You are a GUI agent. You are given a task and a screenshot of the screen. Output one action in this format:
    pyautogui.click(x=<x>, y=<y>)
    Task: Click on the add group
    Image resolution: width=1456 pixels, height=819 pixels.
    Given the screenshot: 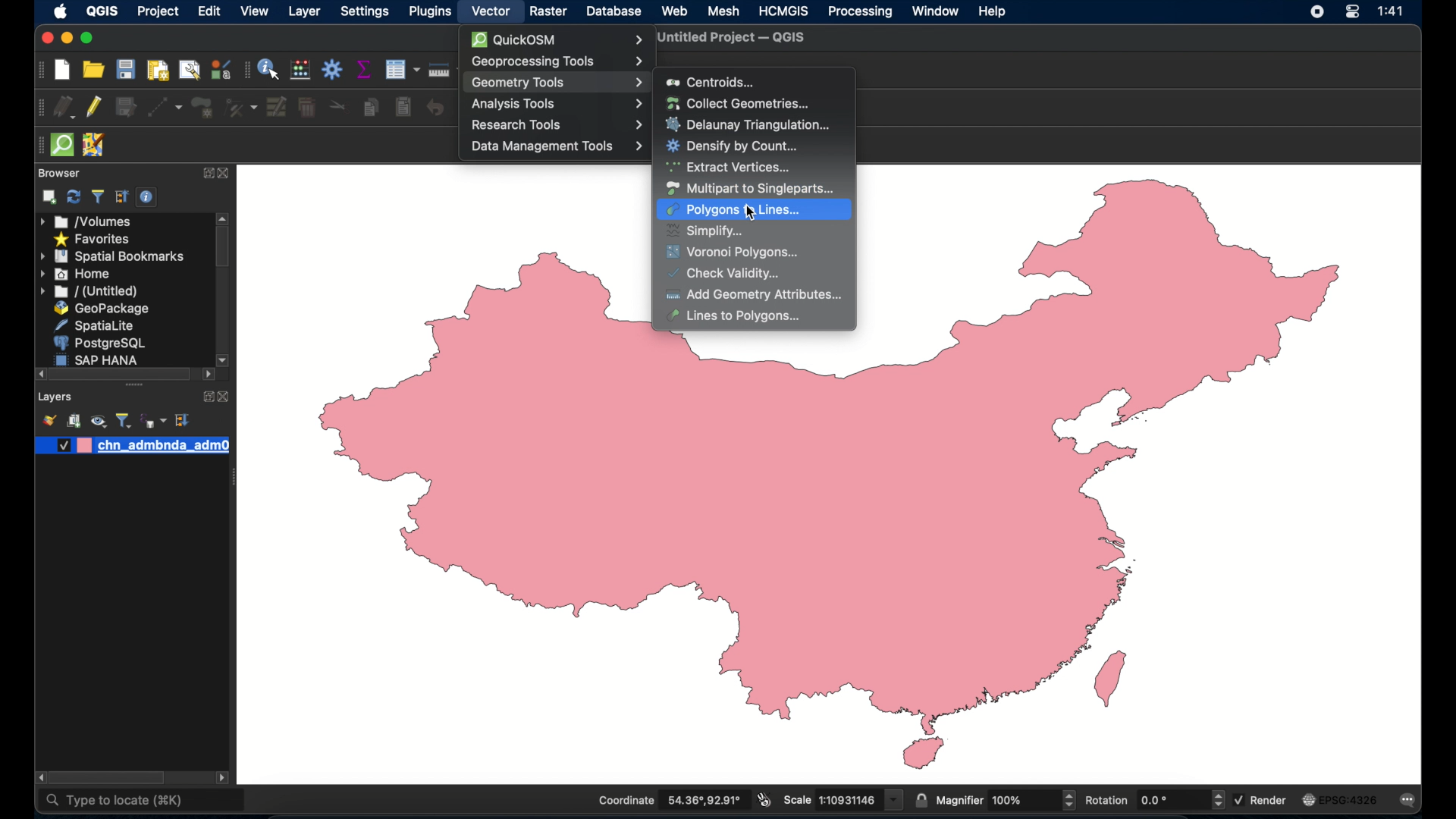 What is the action you would take?
    pyautogui.click(x=74, y=420)
    